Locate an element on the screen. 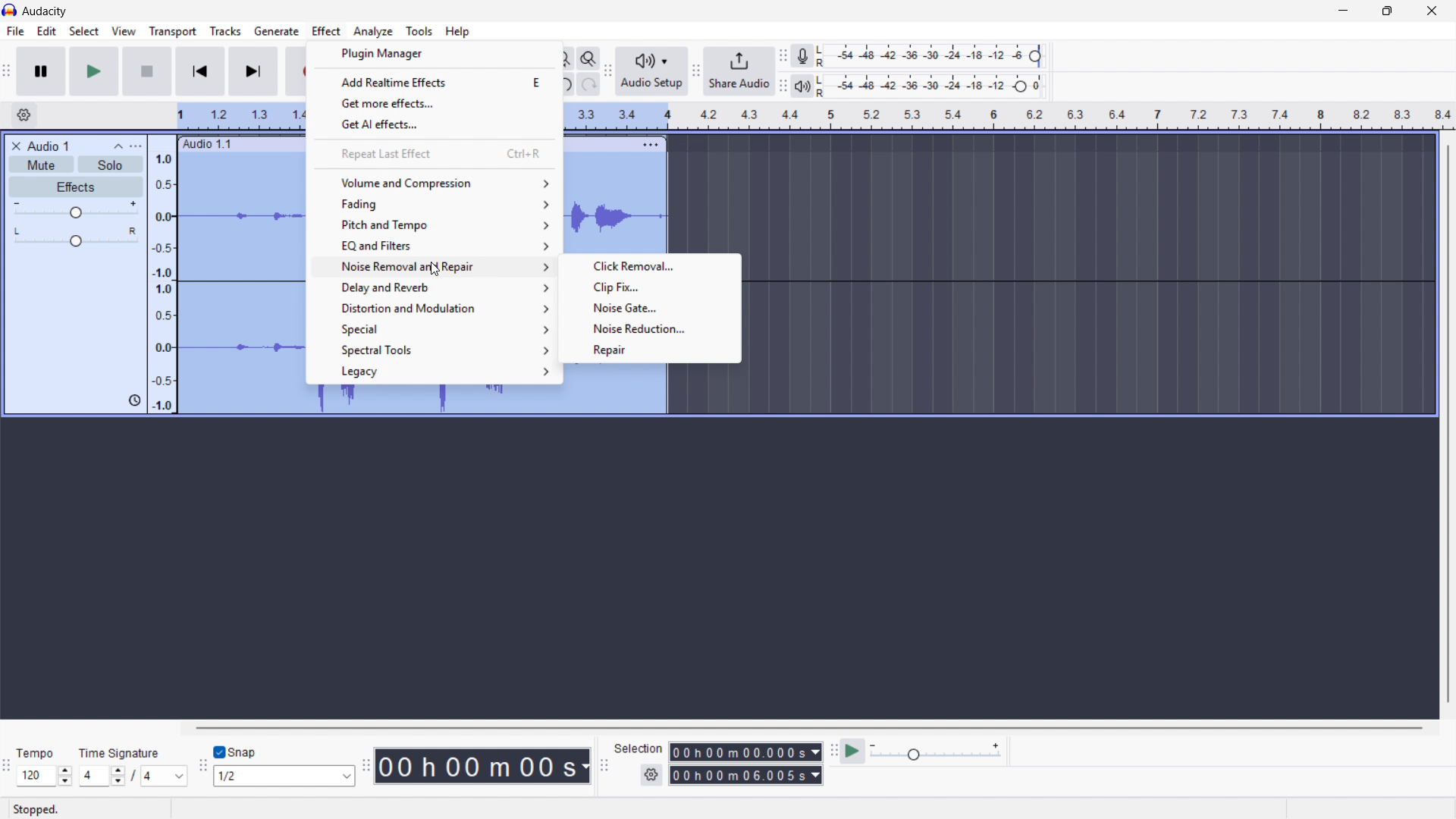 This screenshot has width=1456, height=819. Close is located at coordinates (1432, 11).